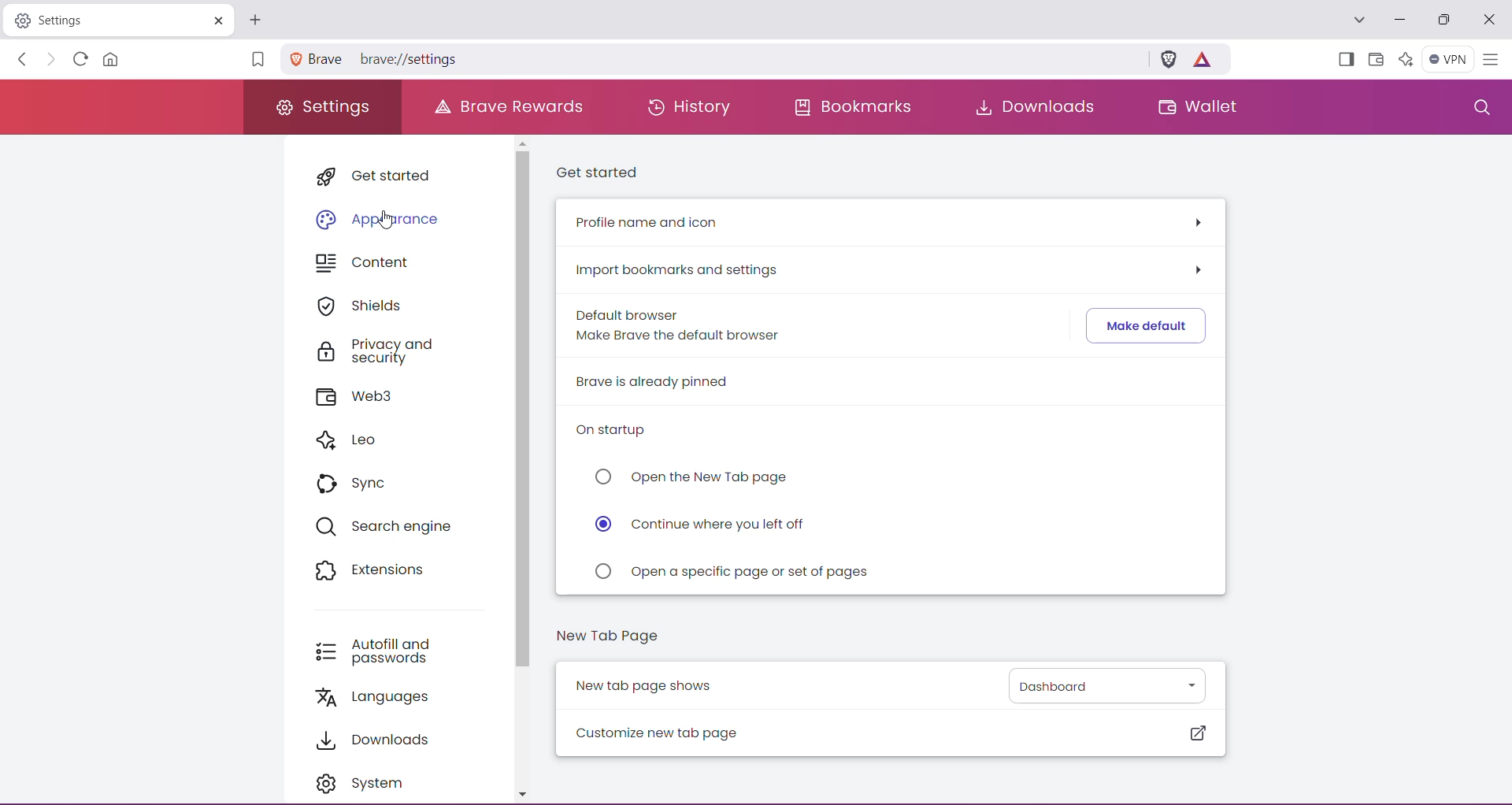  What do you see at coordinates (677, 270) in the screenshot?
I see `Import bookmarks and settings` at bounding box center [677, 270].